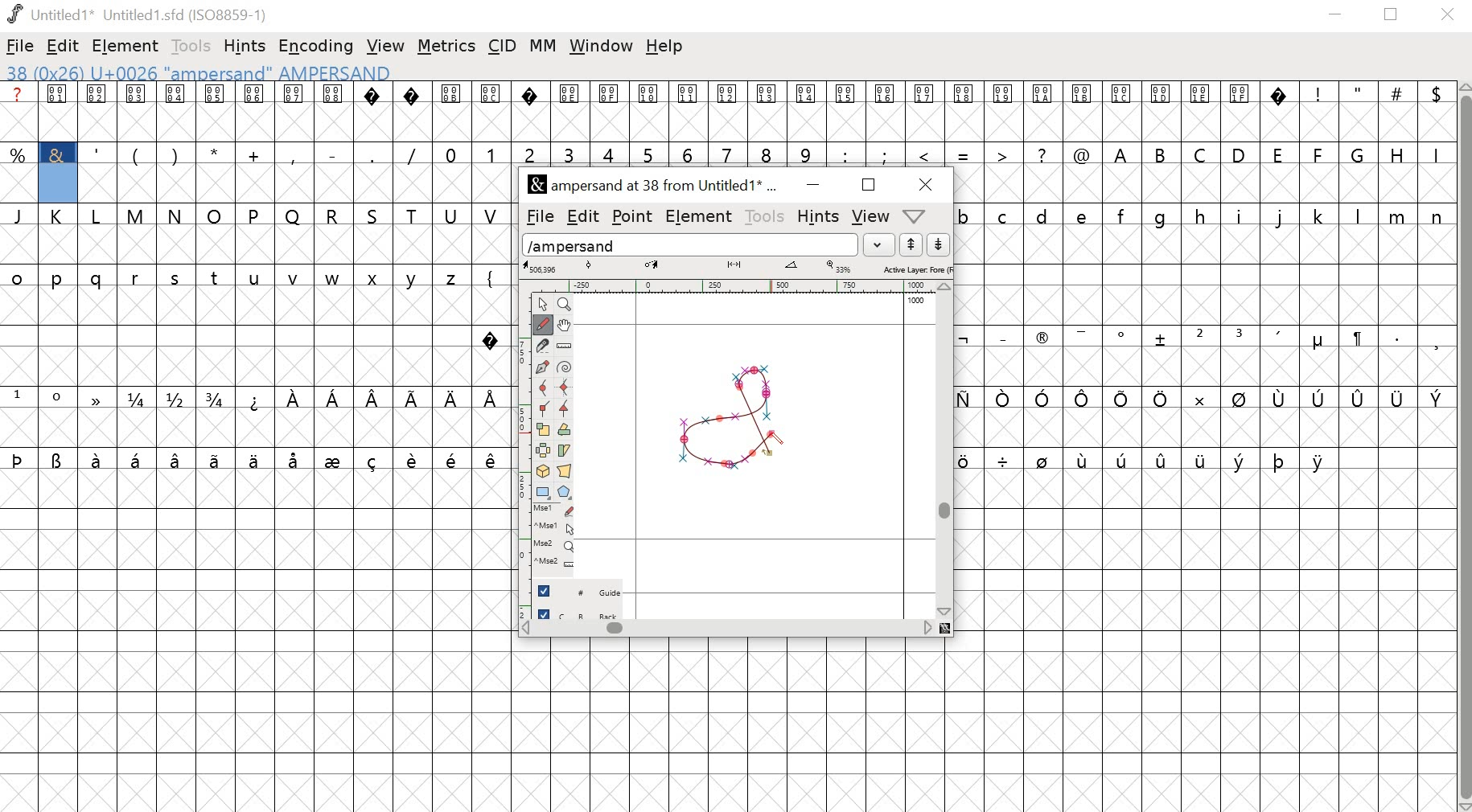 The image size is (1472, 812). Describe the element at coordinates (557, 563) in the screenshot. I see `^Mse2` at that location.